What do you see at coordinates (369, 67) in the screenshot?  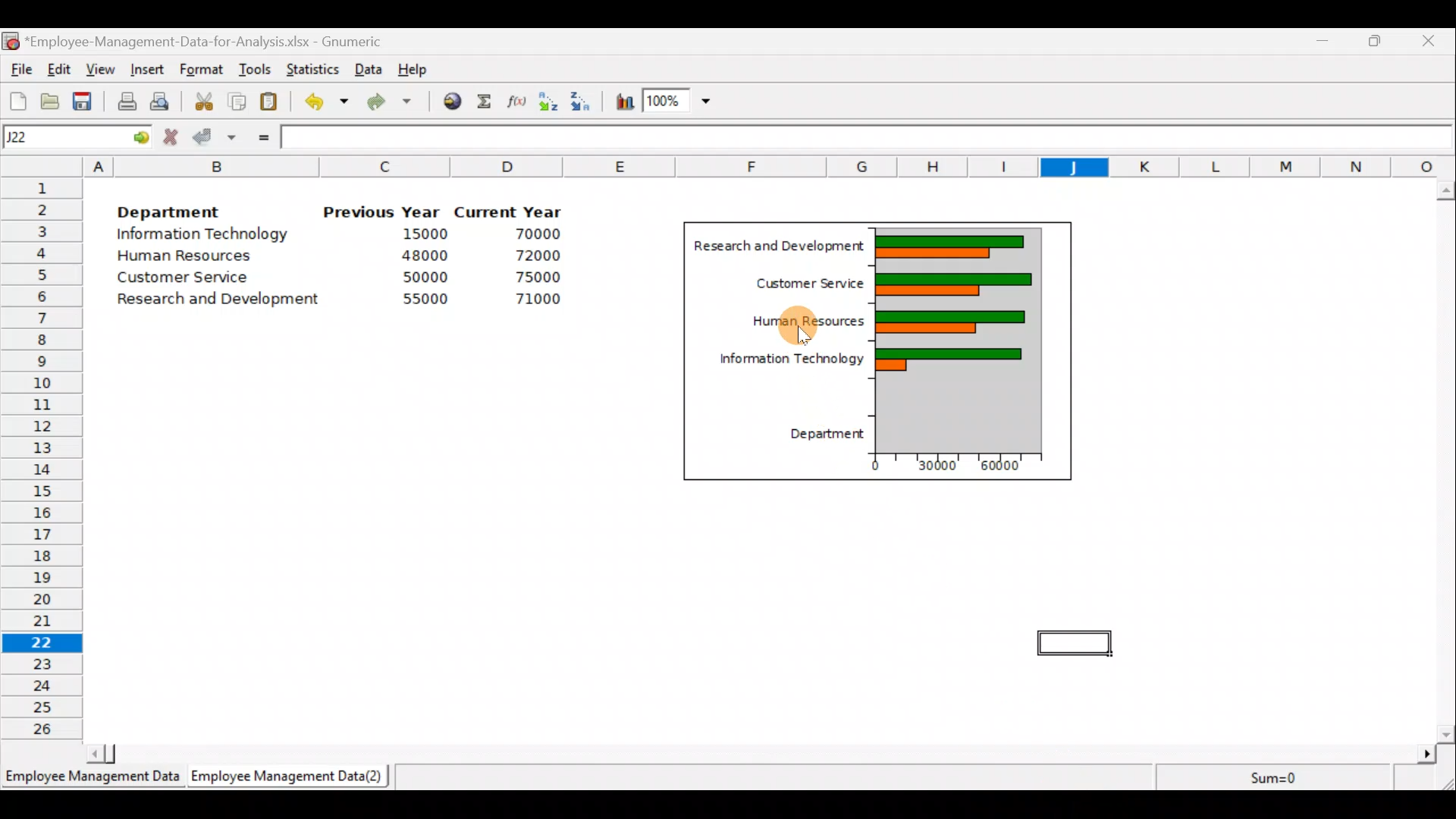 I see `Data` at bounding box center [369, 67].